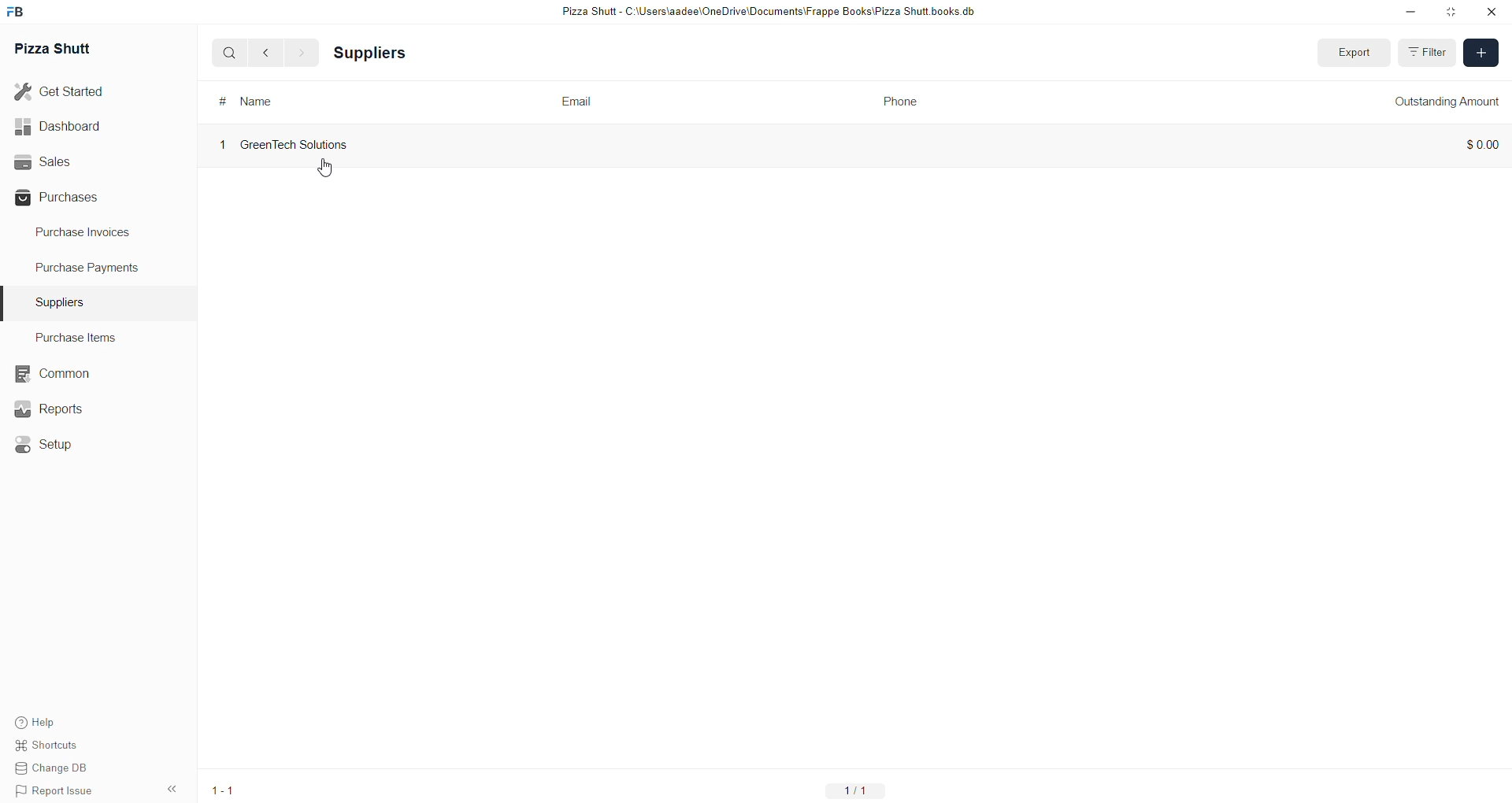  Describe the element at coordinates (263, 53) in the screenshot. I see `previous page` at that location.